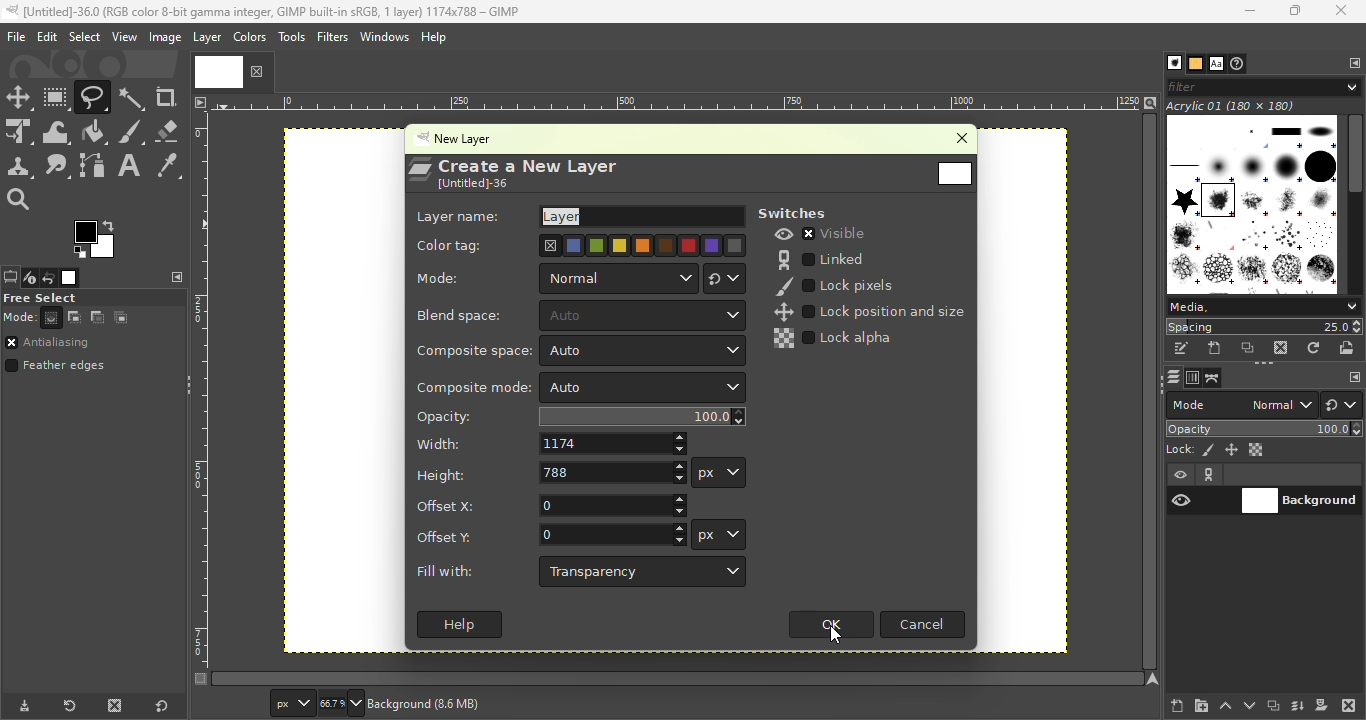 The height and width of the screenshot is (720, 1366). What do you see at coordinates (1153, 679) in the screenshot?
I see `Navigate` at bounding box center [1153, 679].